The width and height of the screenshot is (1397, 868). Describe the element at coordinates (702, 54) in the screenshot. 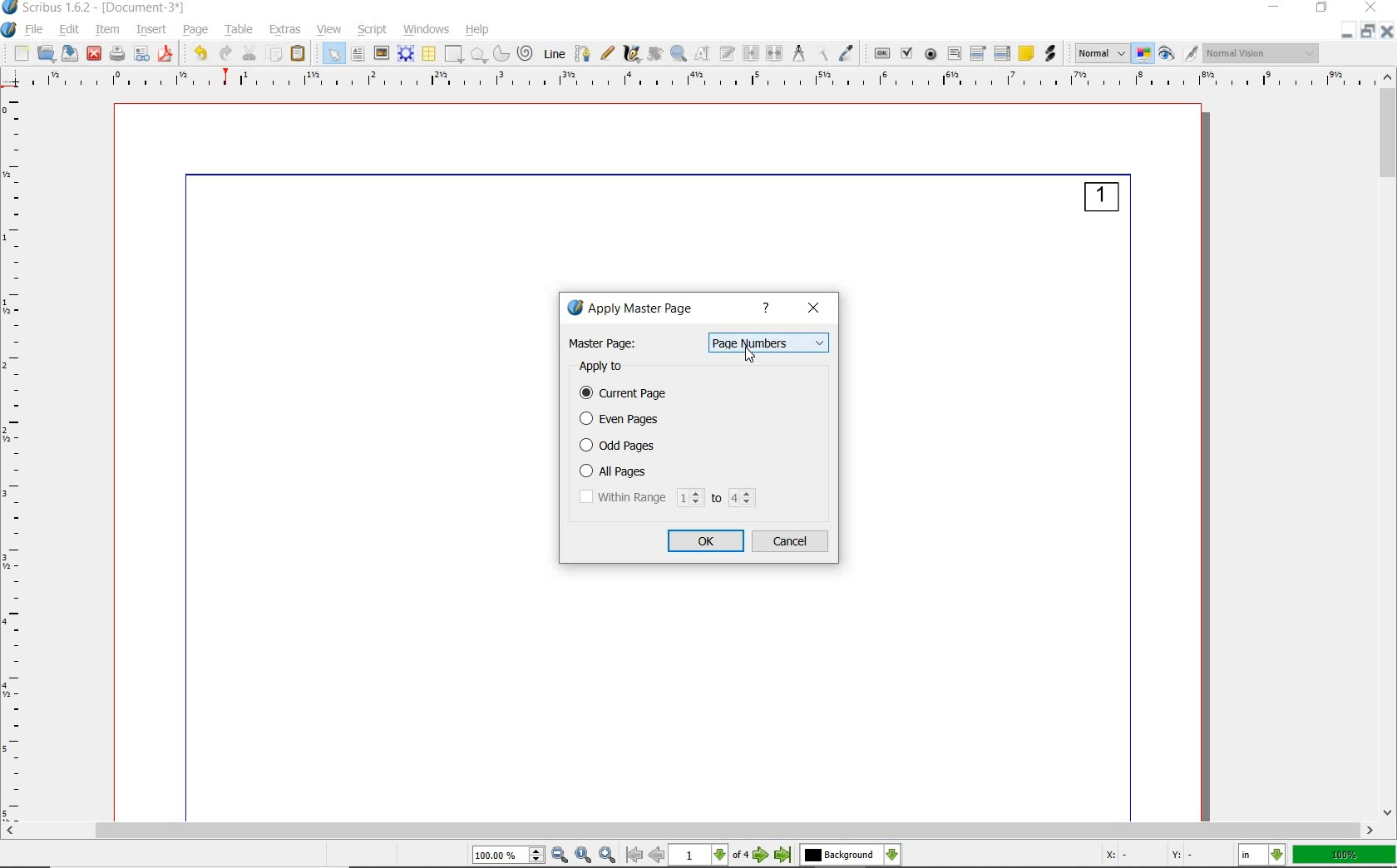

I see `edit contents of frame` at that location.